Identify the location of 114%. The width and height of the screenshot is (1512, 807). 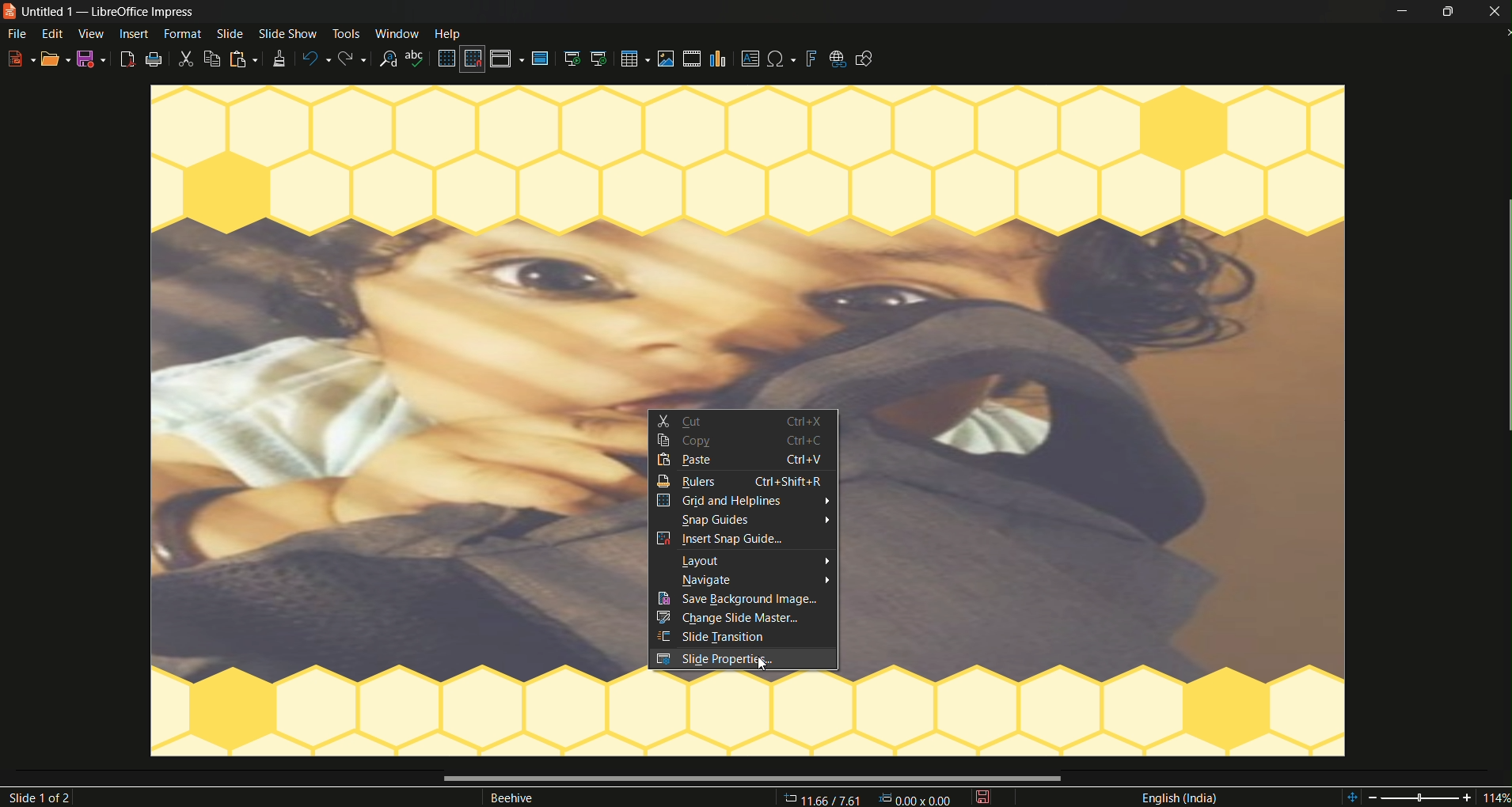
(1426, 795).